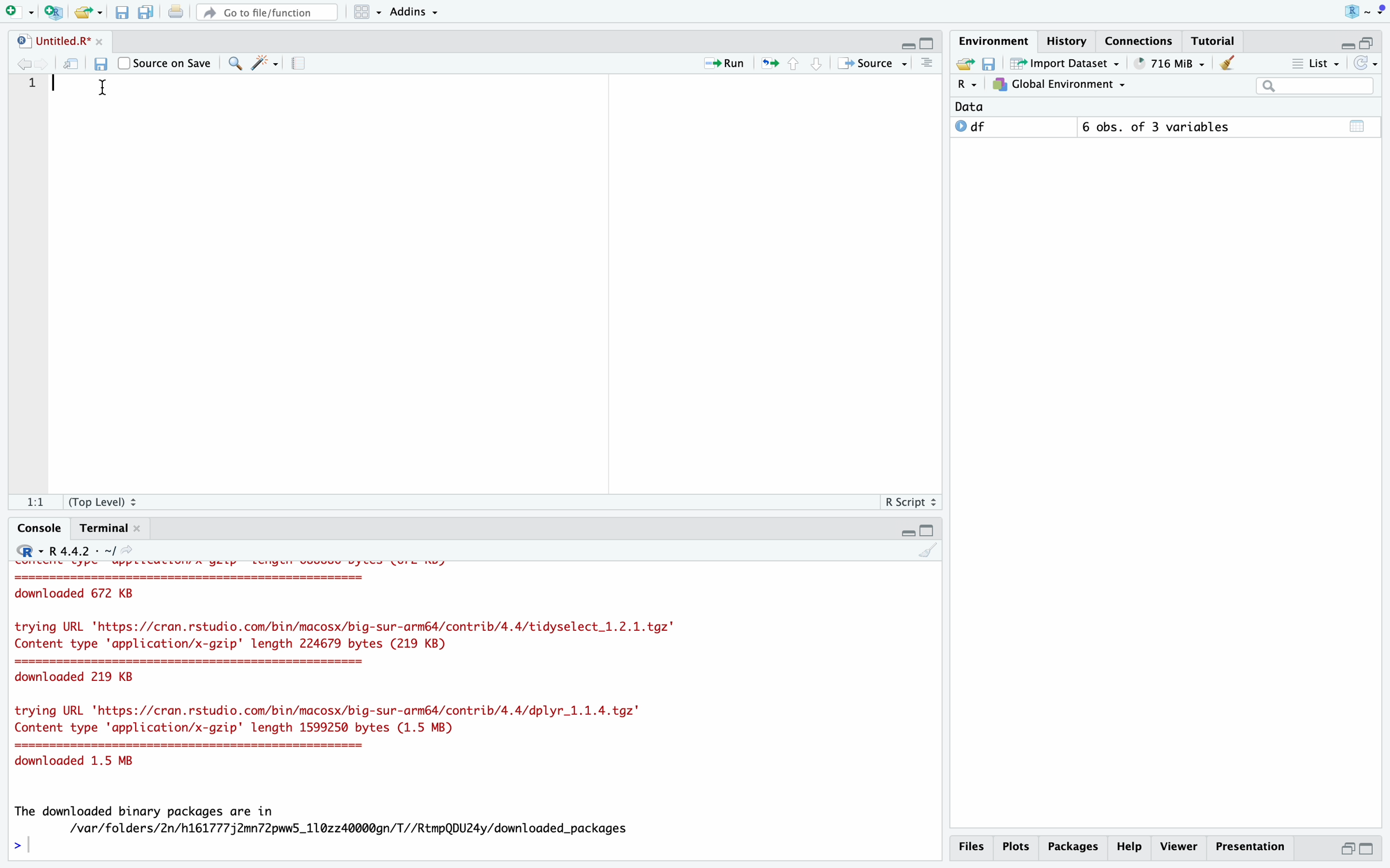 Image resolution: width=1390 pixels, height=868 pixels. I want to click on Save, so click(993, 63).